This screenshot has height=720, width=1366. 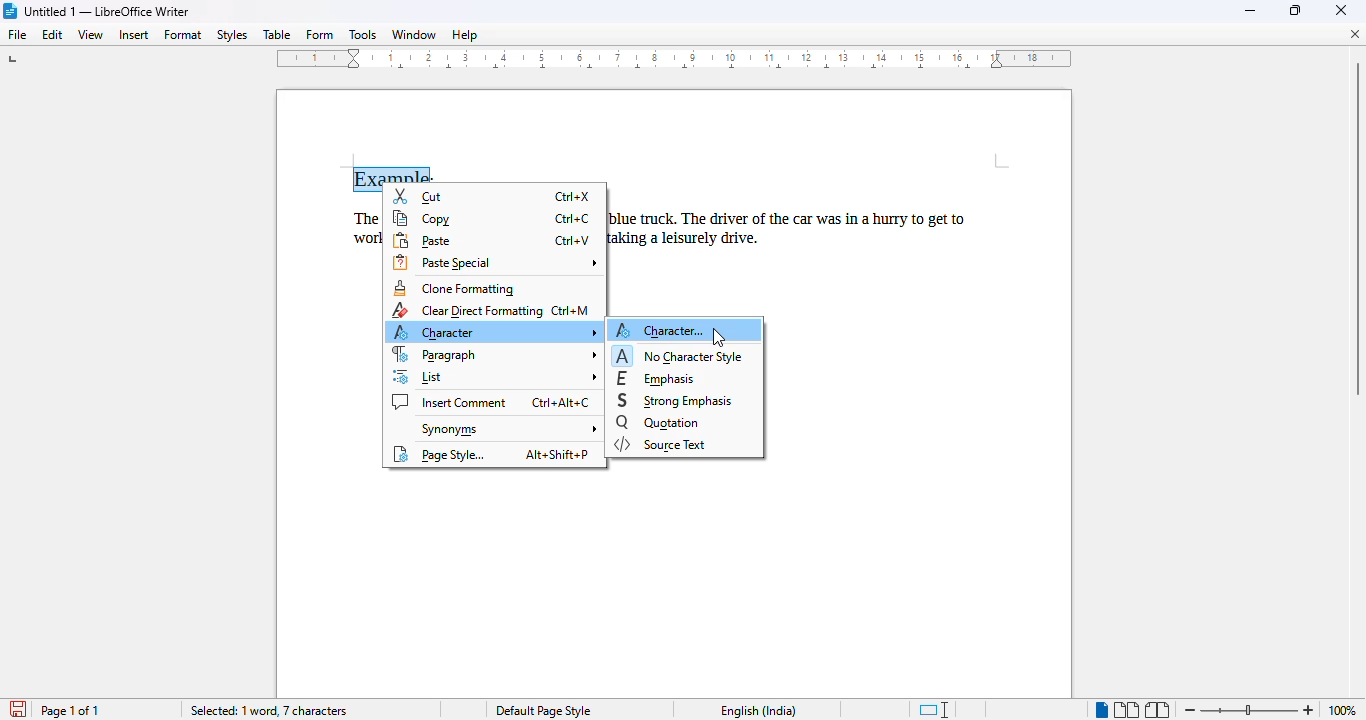 I want to click on window, so click(x=414, y=34).